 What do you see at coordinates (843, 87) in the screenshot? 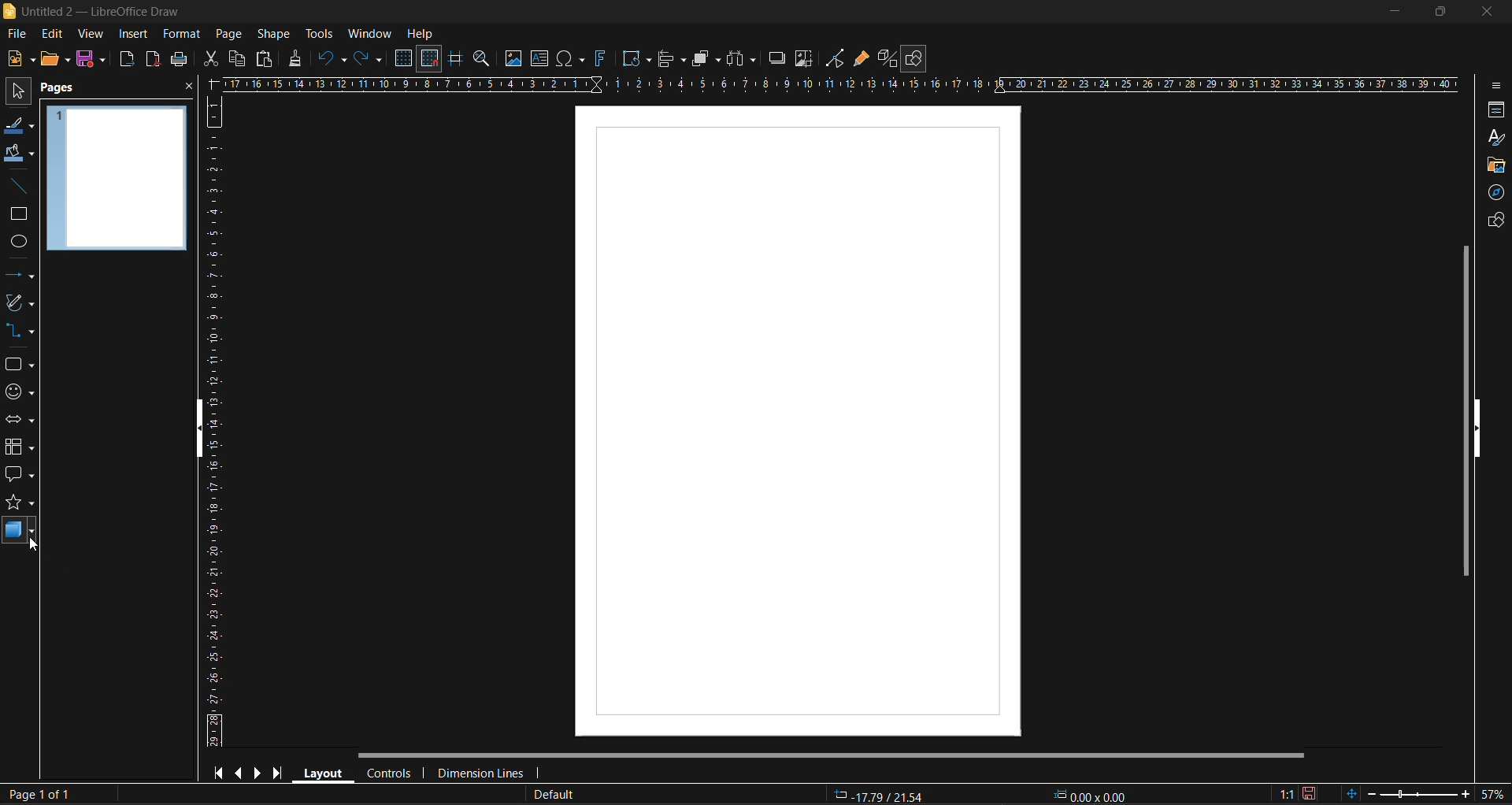
I see `horizontal ruler` at bounding box center [843, 87].